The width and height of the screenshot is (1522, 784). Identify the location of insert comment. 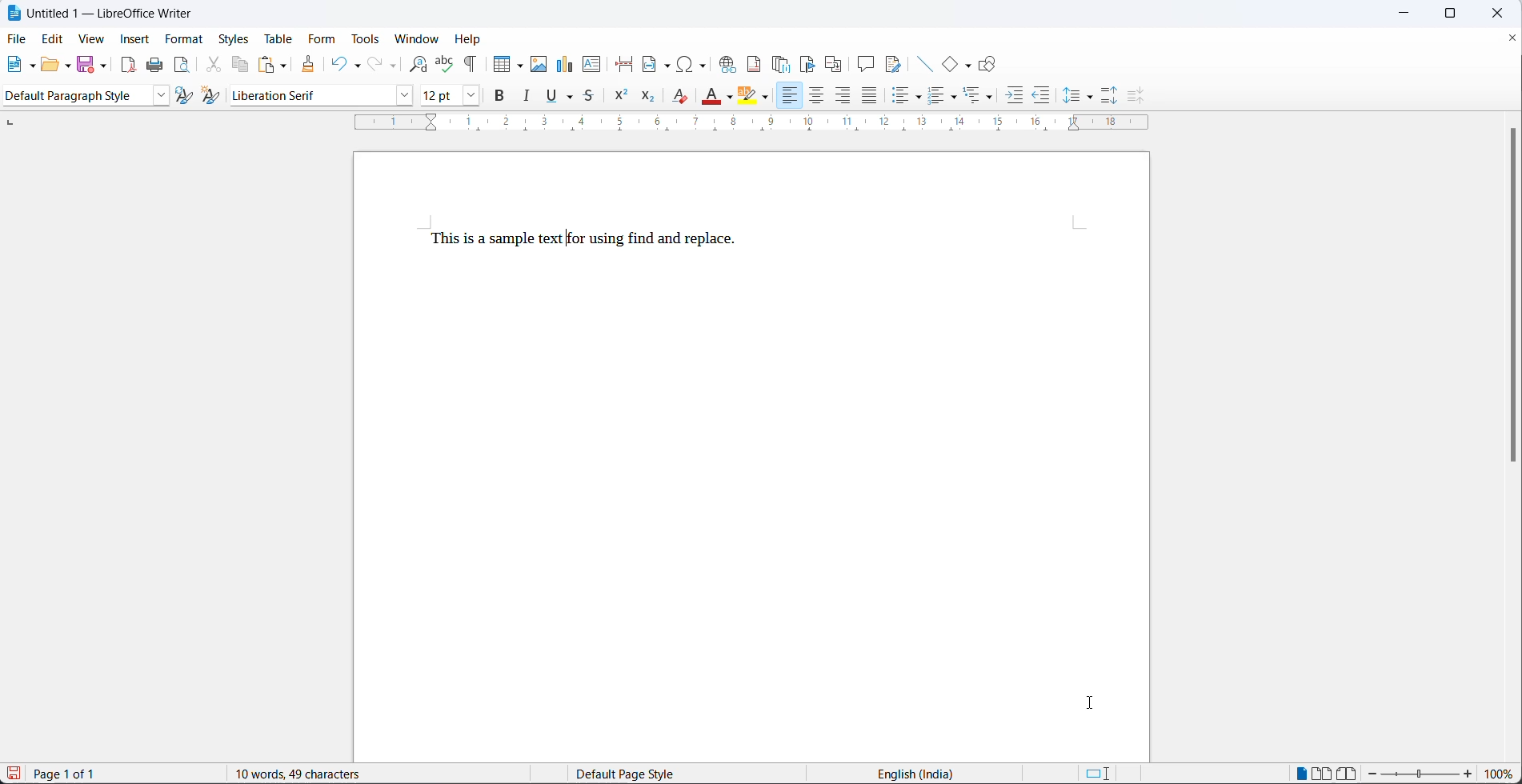
(866, 64).